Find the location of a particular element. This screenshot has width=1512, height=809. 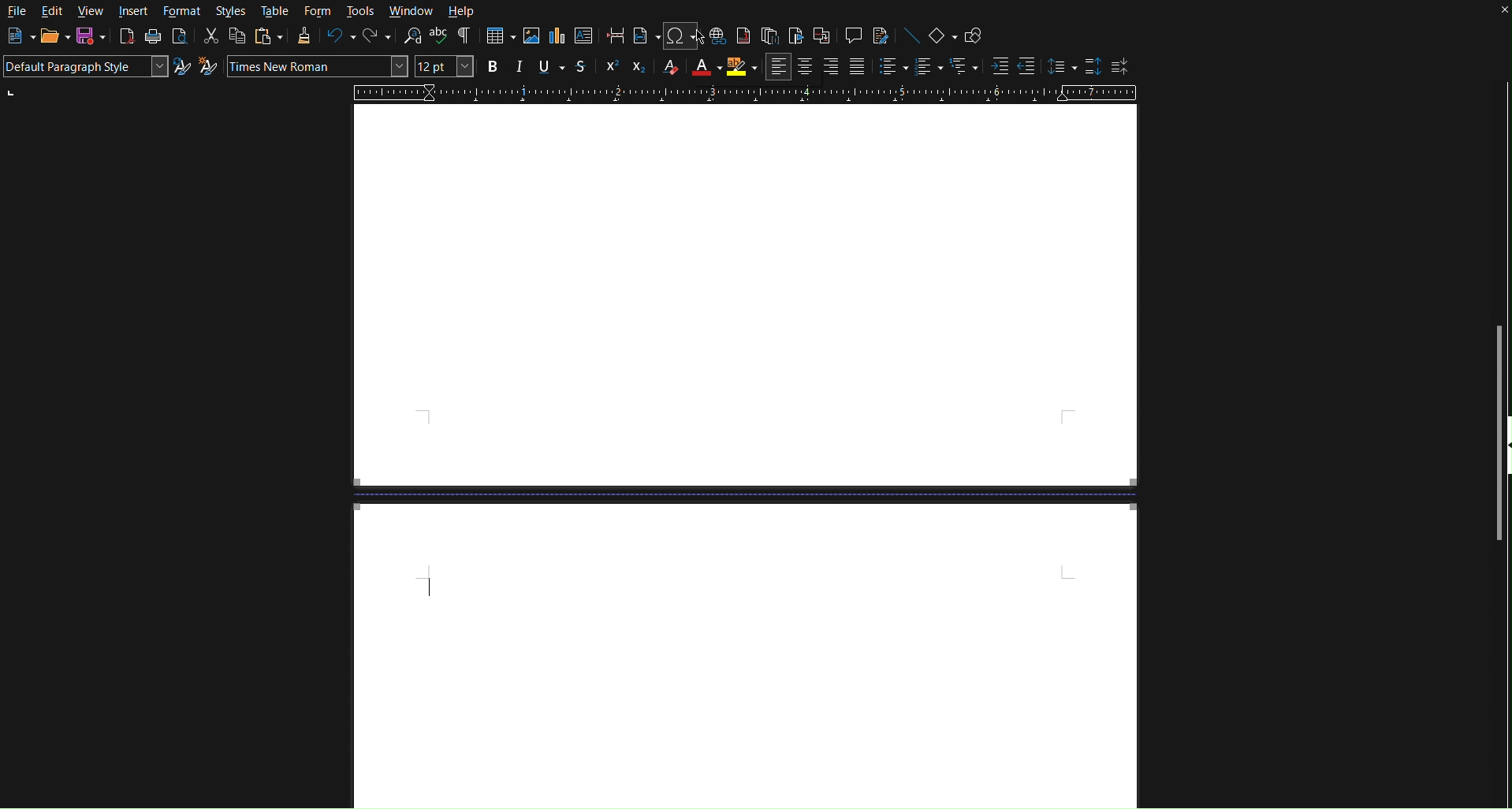

New is located at coordinates (15, 36).